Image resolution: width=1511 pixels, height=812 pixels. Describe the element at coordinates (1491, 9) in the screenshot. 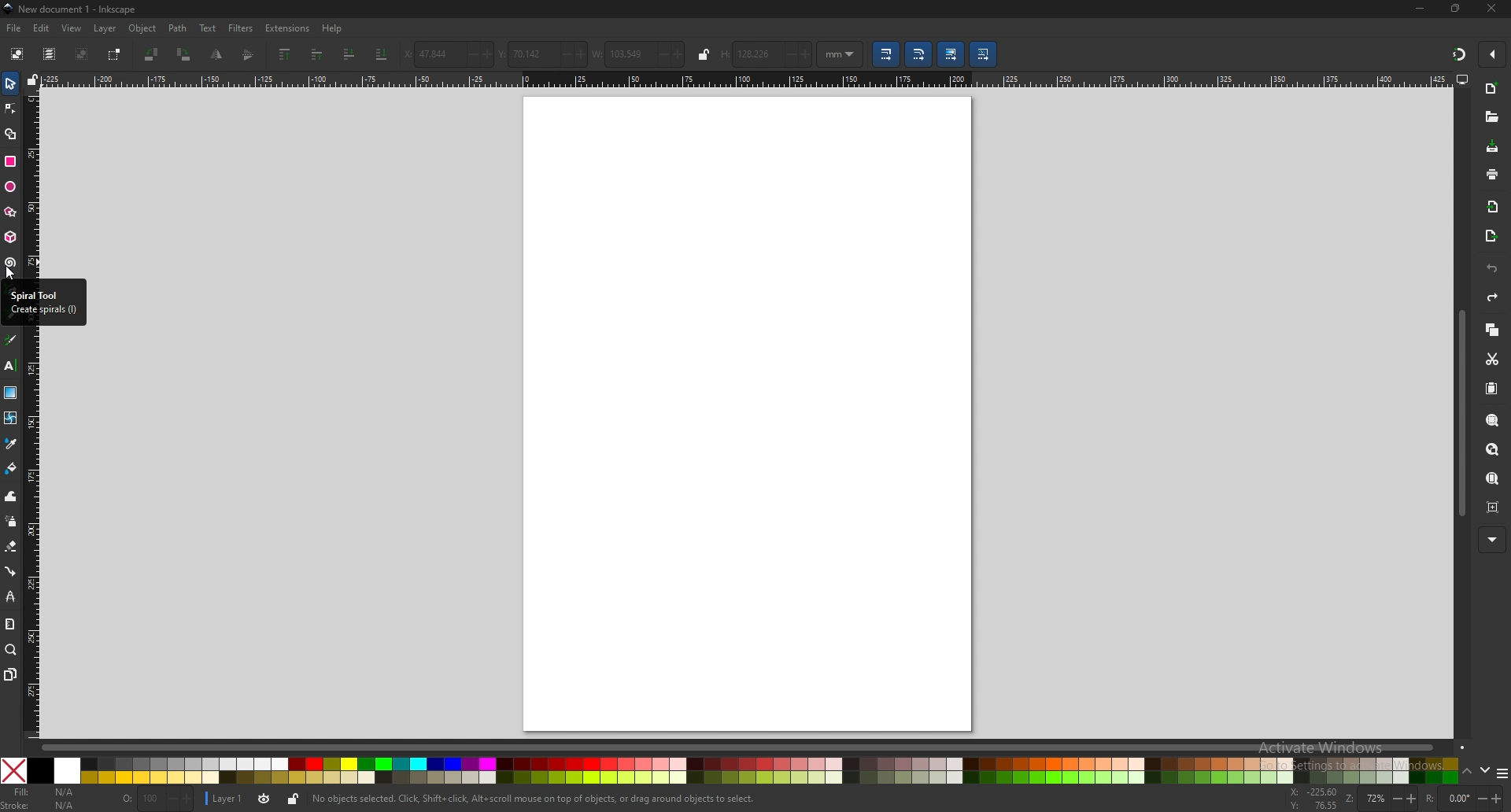

I see `close` at that location.